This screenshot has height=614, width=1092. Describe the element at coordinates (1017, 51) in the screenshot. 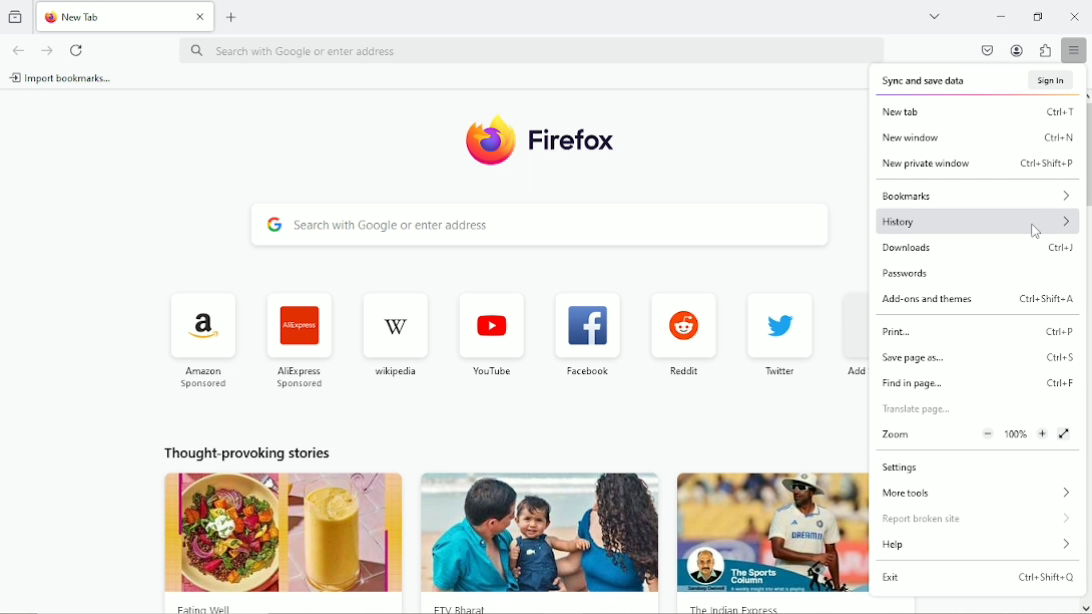

I see `account` at that location.